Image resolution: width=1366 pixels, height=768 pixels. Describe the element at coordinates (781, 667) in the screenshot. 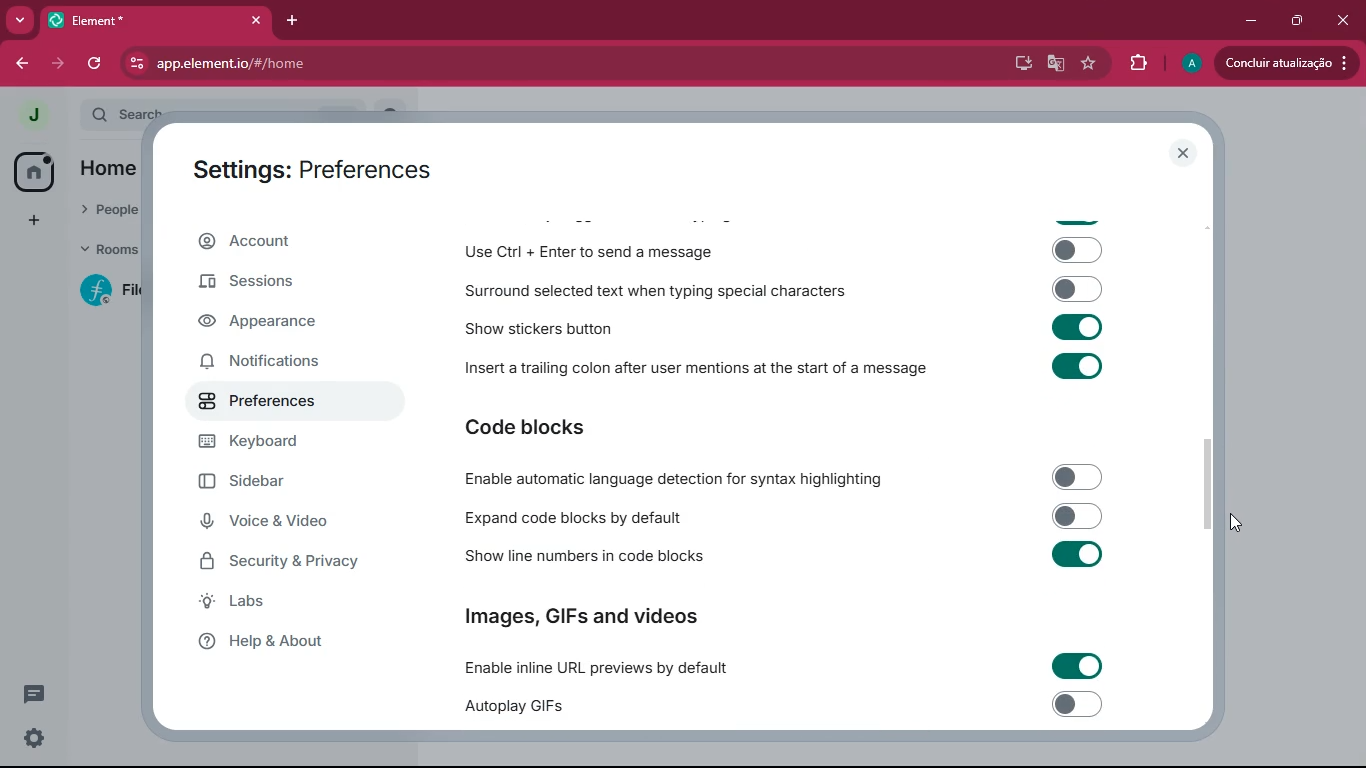

I see `Enable inline URL previews by default` at that location.